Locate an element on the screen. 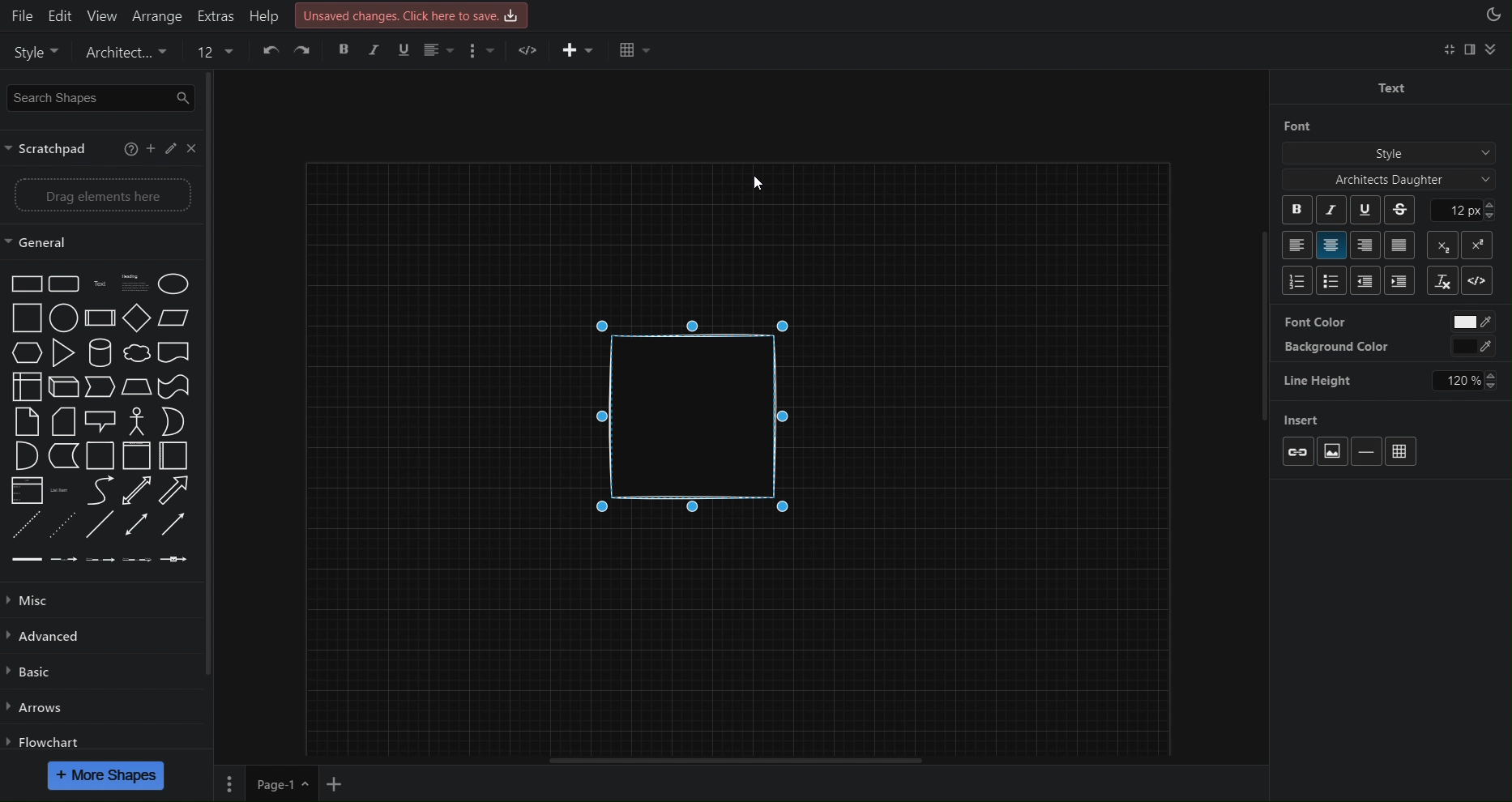  Arrange is located at coordinates (155, 14).